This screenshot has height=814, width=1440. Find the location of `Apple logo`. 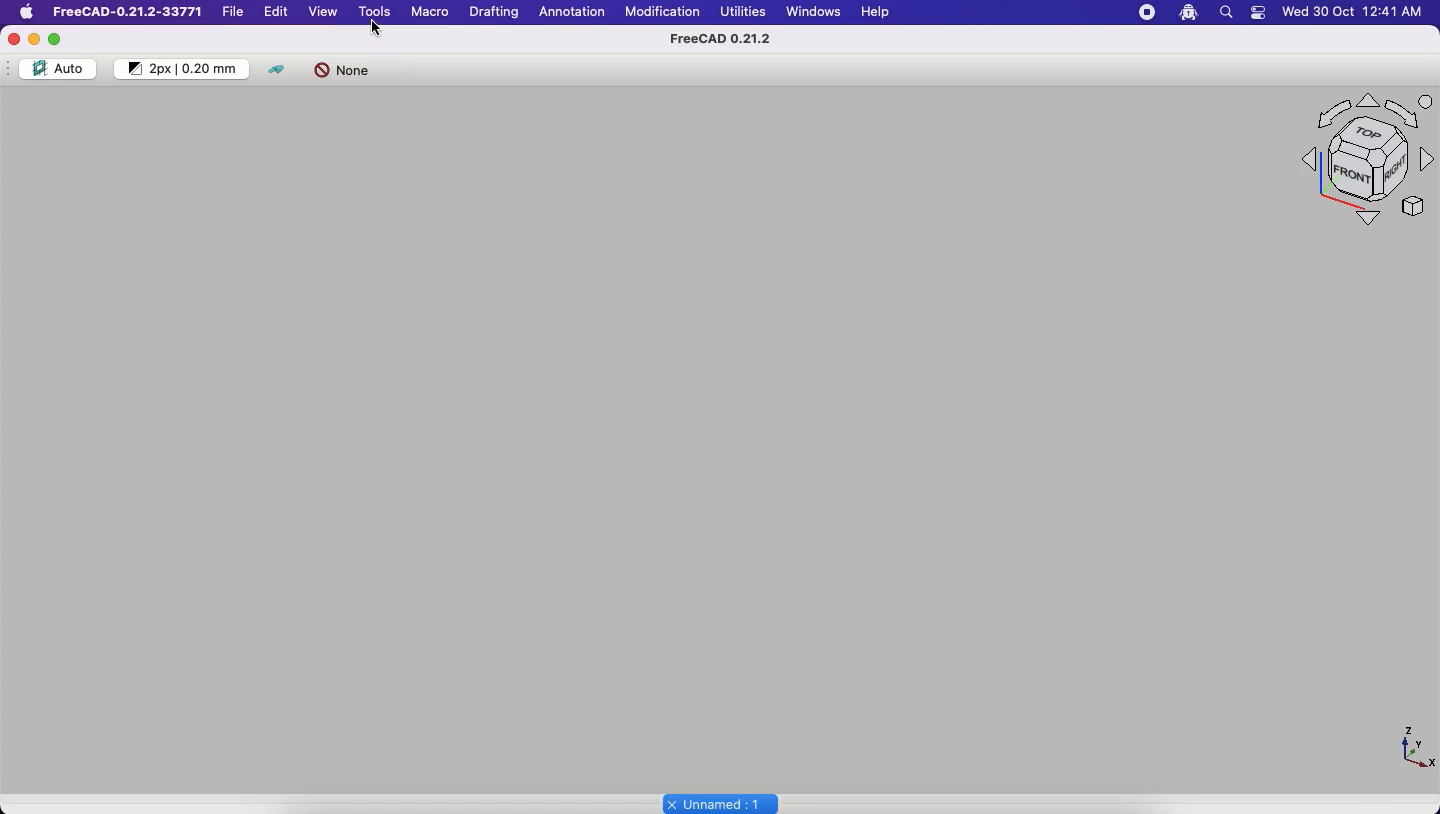

Apple logo is located at coordinates (26, 15).